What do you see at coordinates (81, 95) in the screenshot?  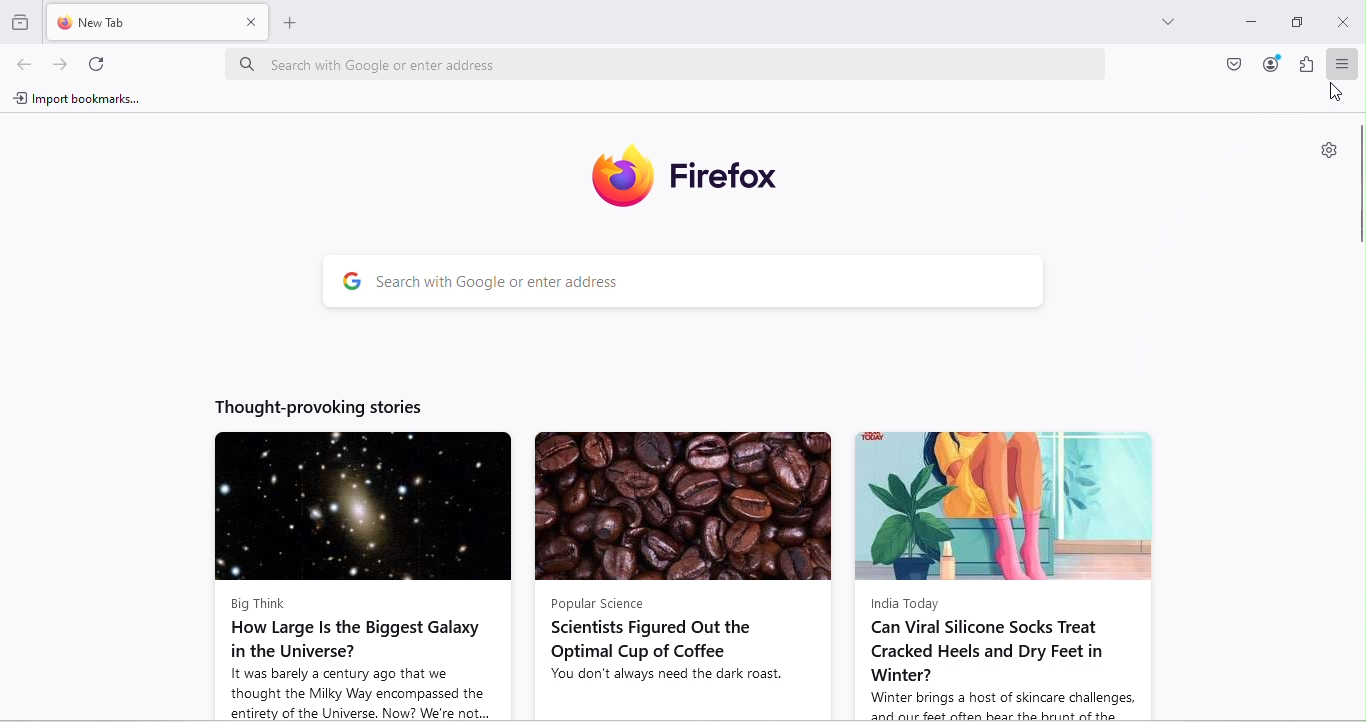 I see `Import bookmarks` at bounding box center [81, 95].